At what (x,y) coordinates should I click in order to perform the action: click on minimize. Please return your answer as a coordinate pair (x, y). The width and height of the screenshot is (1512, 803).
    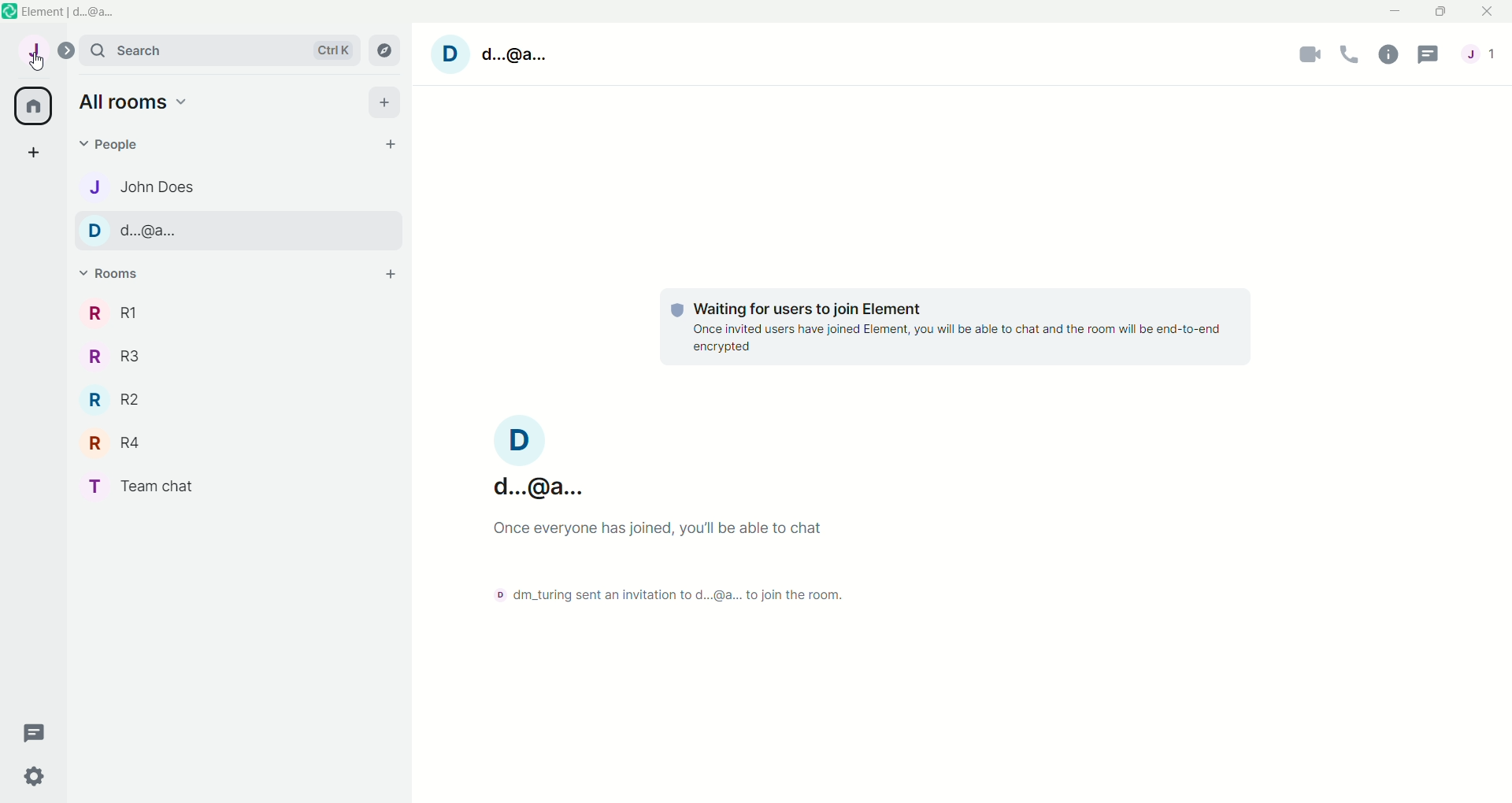
    Looking at the image, I should click on (1395, 11).